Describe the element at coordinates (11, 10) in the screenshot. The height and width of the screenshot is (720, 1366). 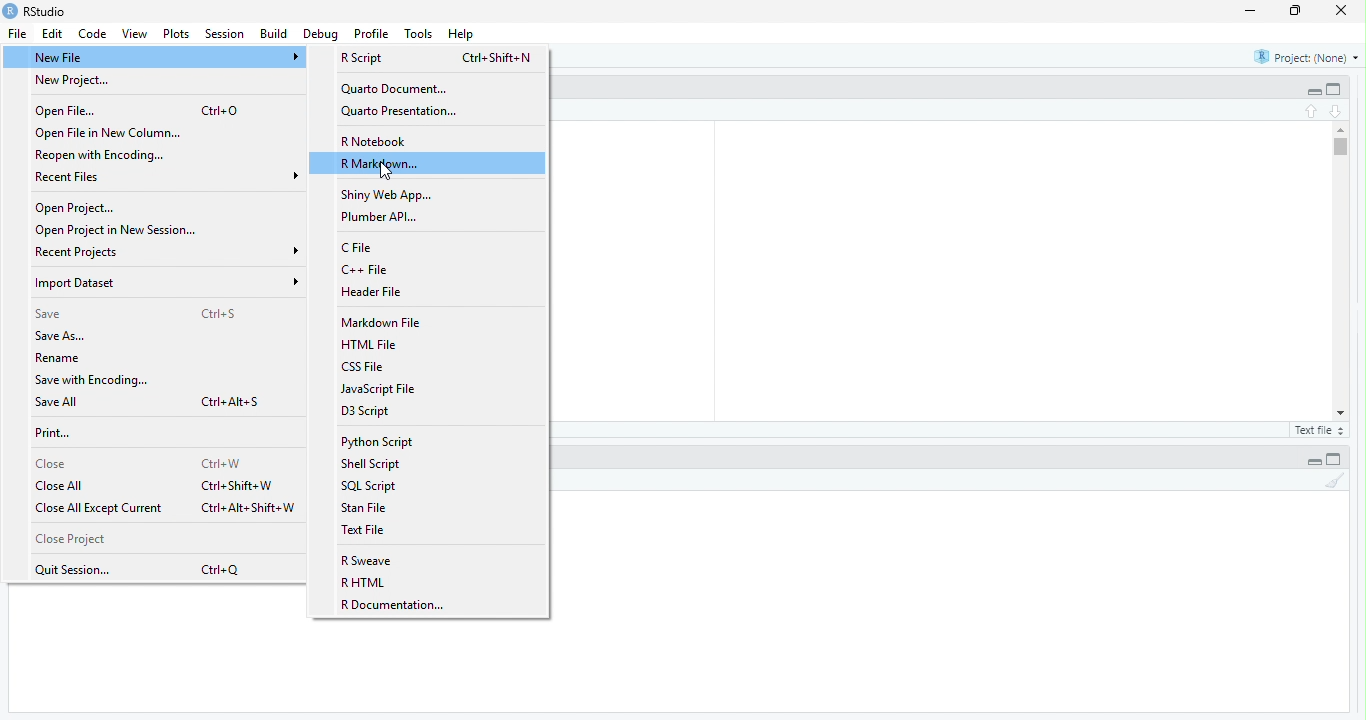
I see `logo` at that location.